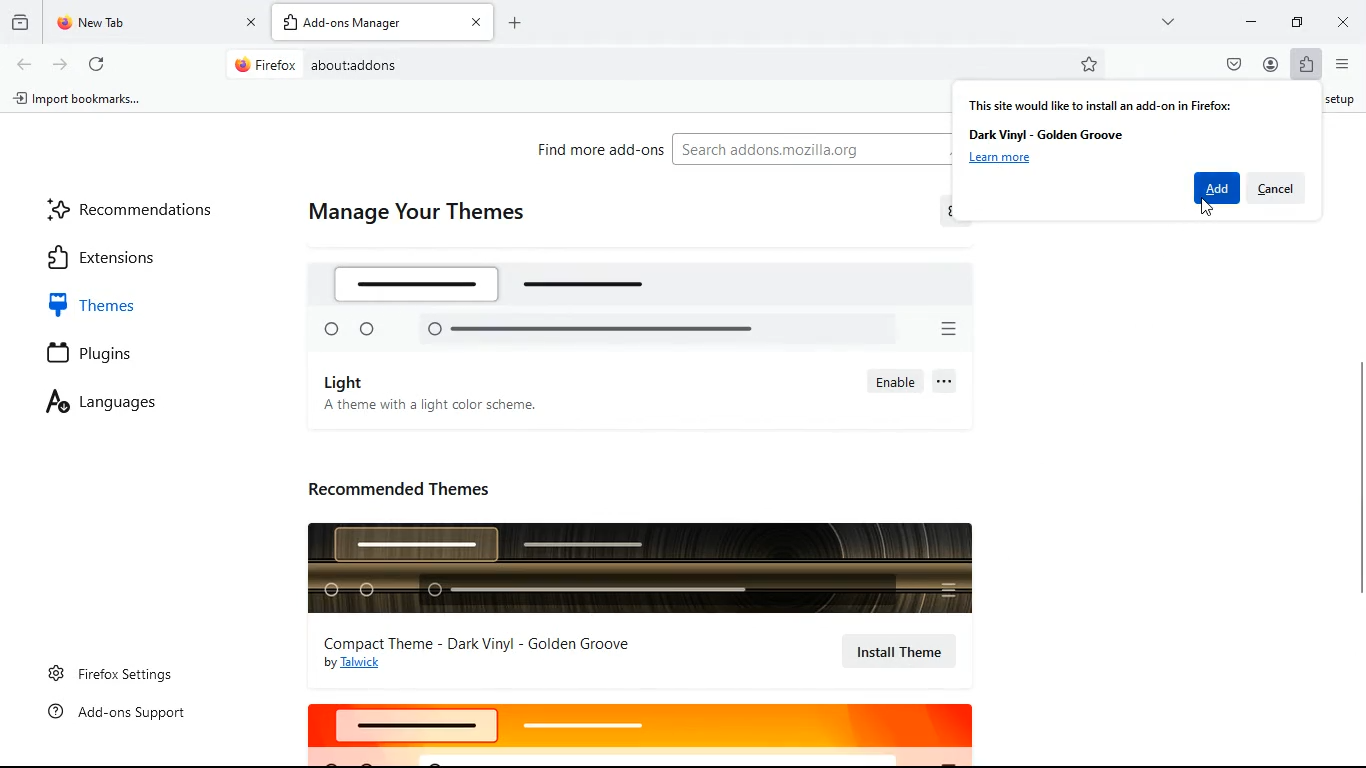 The image size is (1366, 768). Describe the element at coordinates (957, 215) in the screenshot. I see `settings` at that location.